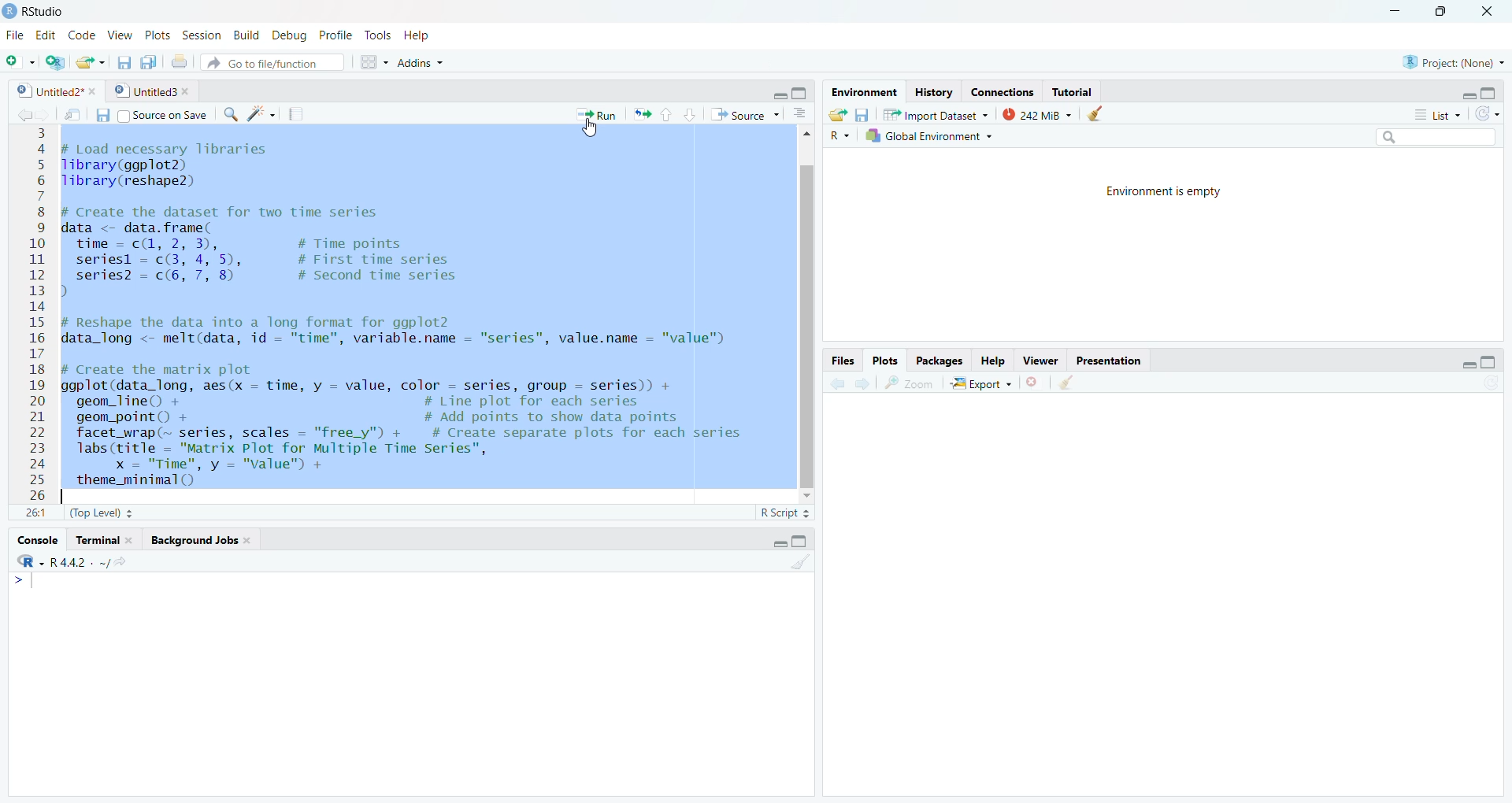  What do you see at coordinates (1000, 92) in the screenshot?
I see `Connections` at bounding box center [1000, 92].